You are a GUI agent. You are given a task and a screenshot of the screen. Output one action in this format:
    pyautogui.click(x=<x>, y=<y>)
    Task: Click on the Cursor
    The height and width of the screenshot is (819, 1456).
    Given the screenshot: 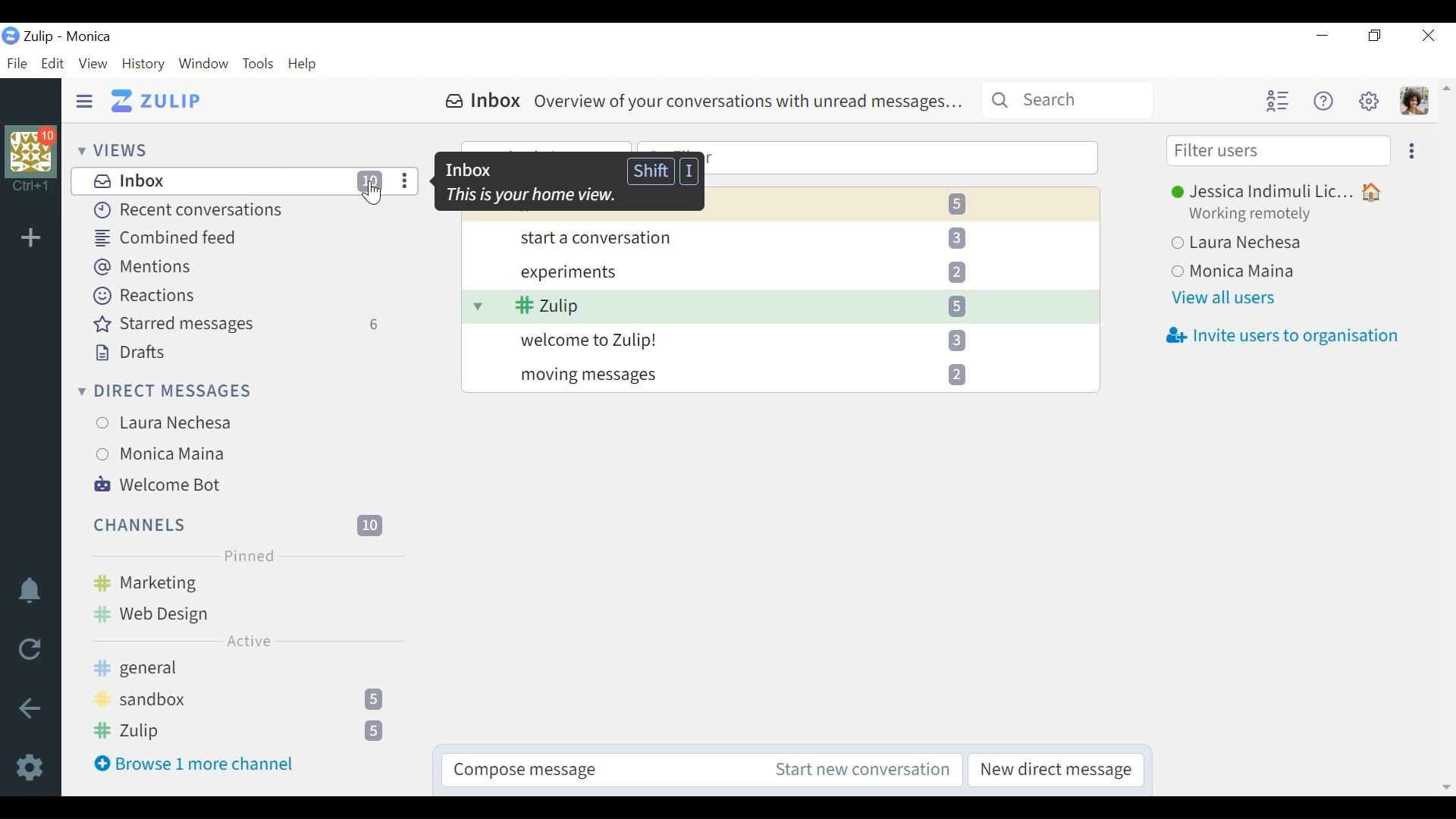 What is the action you would take?
    pyautogui.click(x=374, y=195)
    